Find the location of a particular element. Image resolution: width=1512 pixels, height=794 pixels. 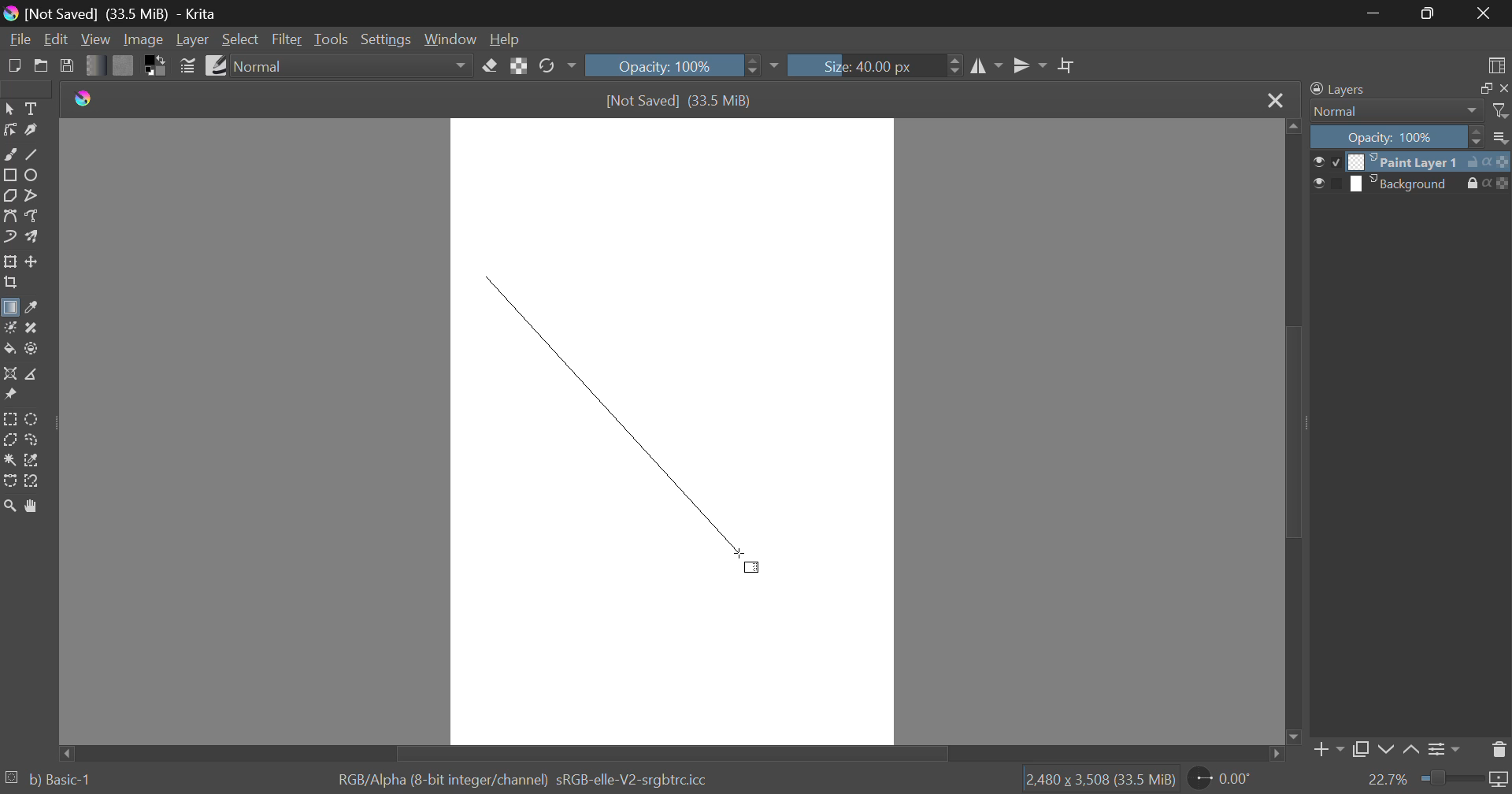

File is located at coordinates (18, 38).